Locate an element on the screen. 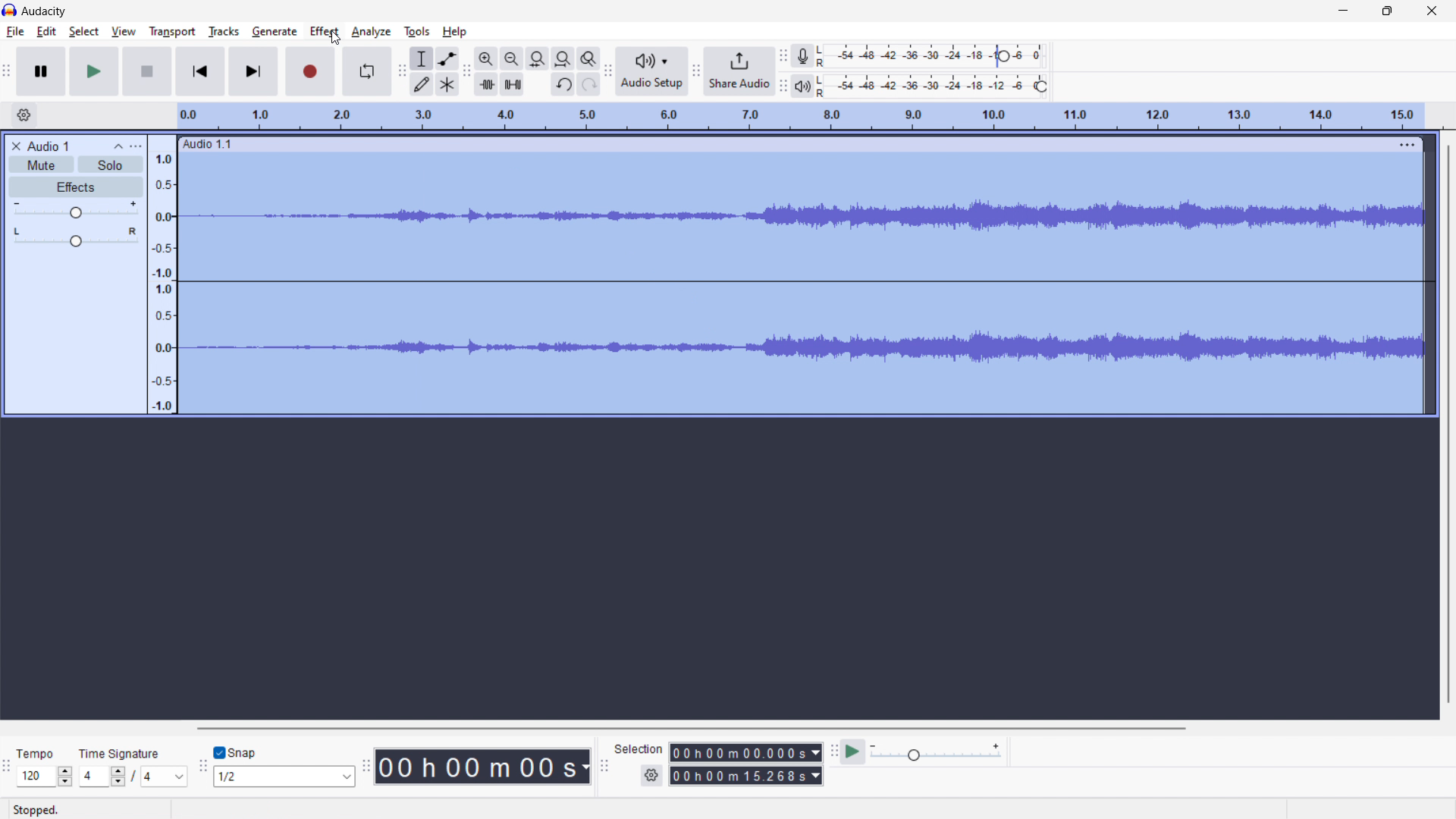 This screenshot has width=1456, height=819. time stamp is located at coordinates (482, 767).